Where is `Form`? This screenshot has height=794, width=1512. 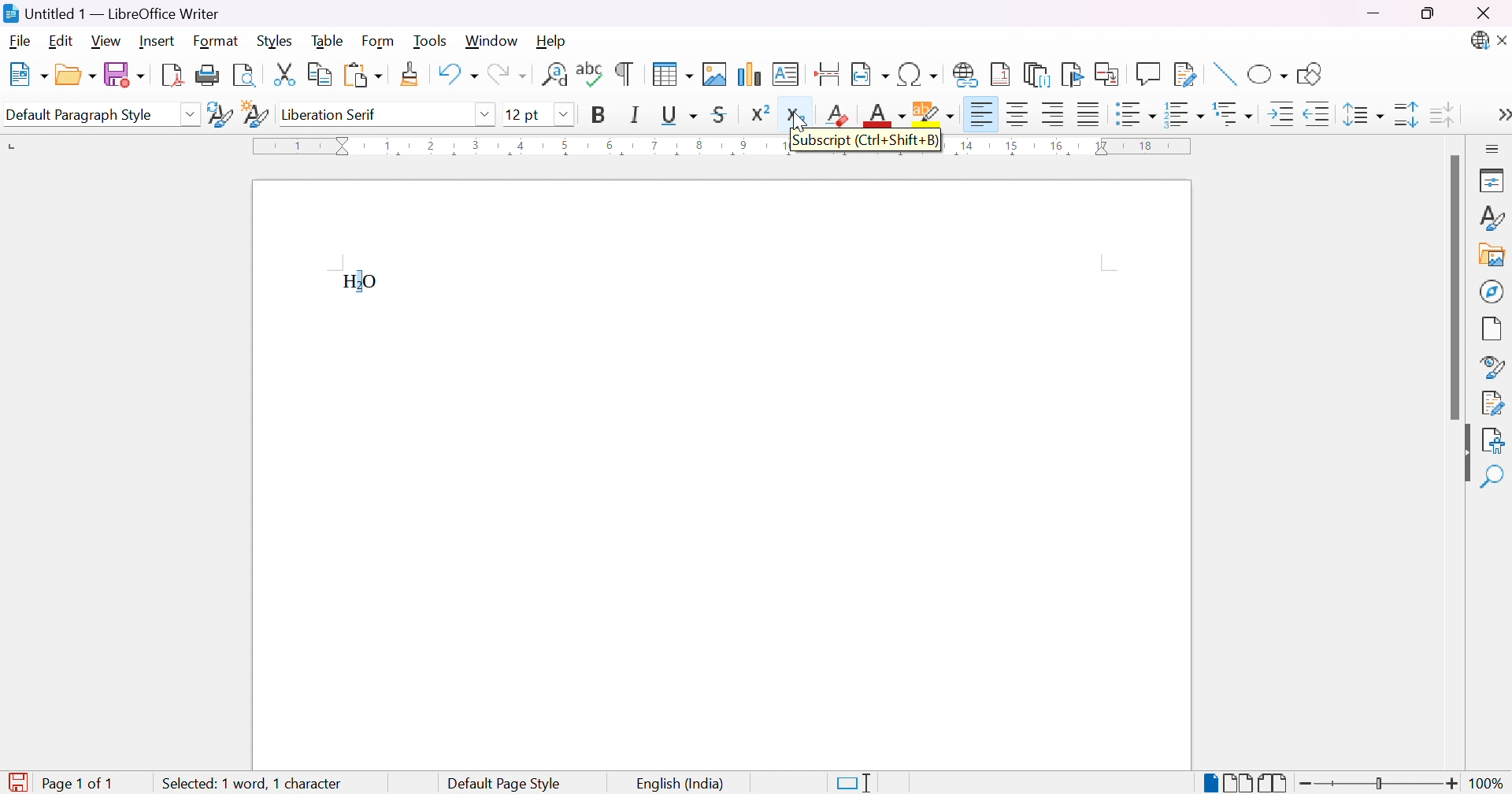 Form is located at coordinates (382, 42).